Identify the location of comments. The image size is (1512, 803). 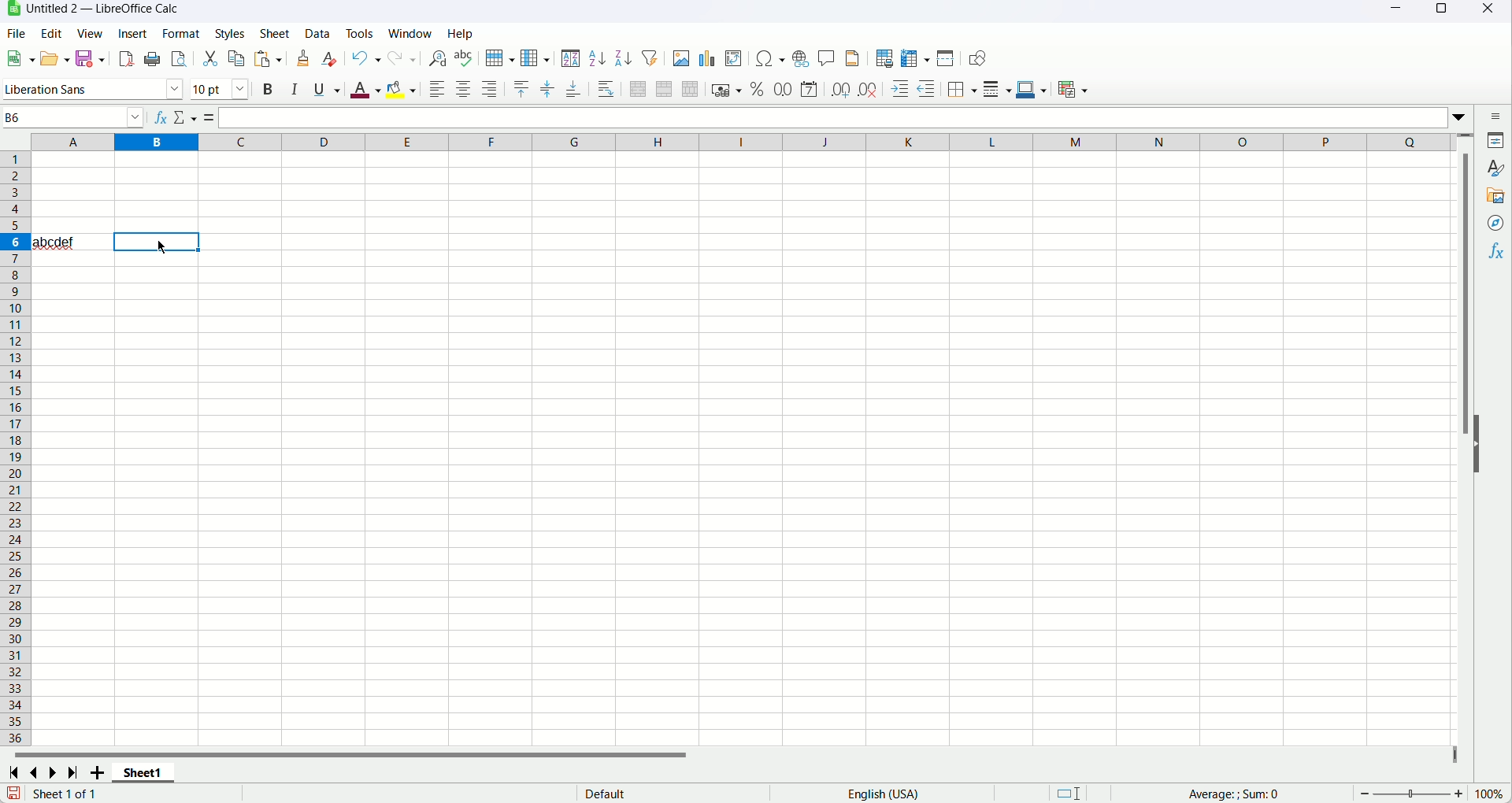
(827, 60).